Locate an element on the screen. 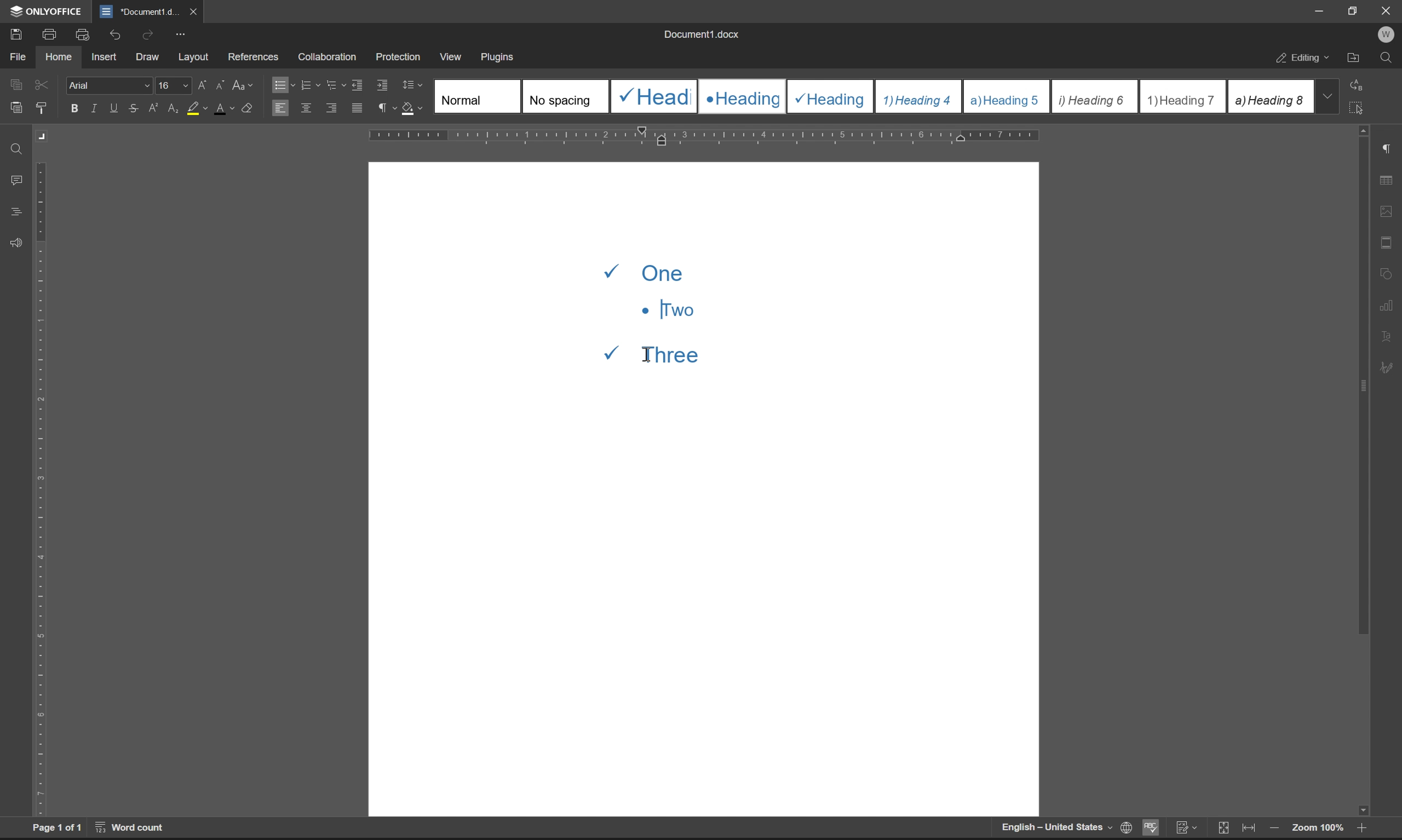 This screenshot has width=1402, height=840. zoom in is located at coordinates (1359, 830).